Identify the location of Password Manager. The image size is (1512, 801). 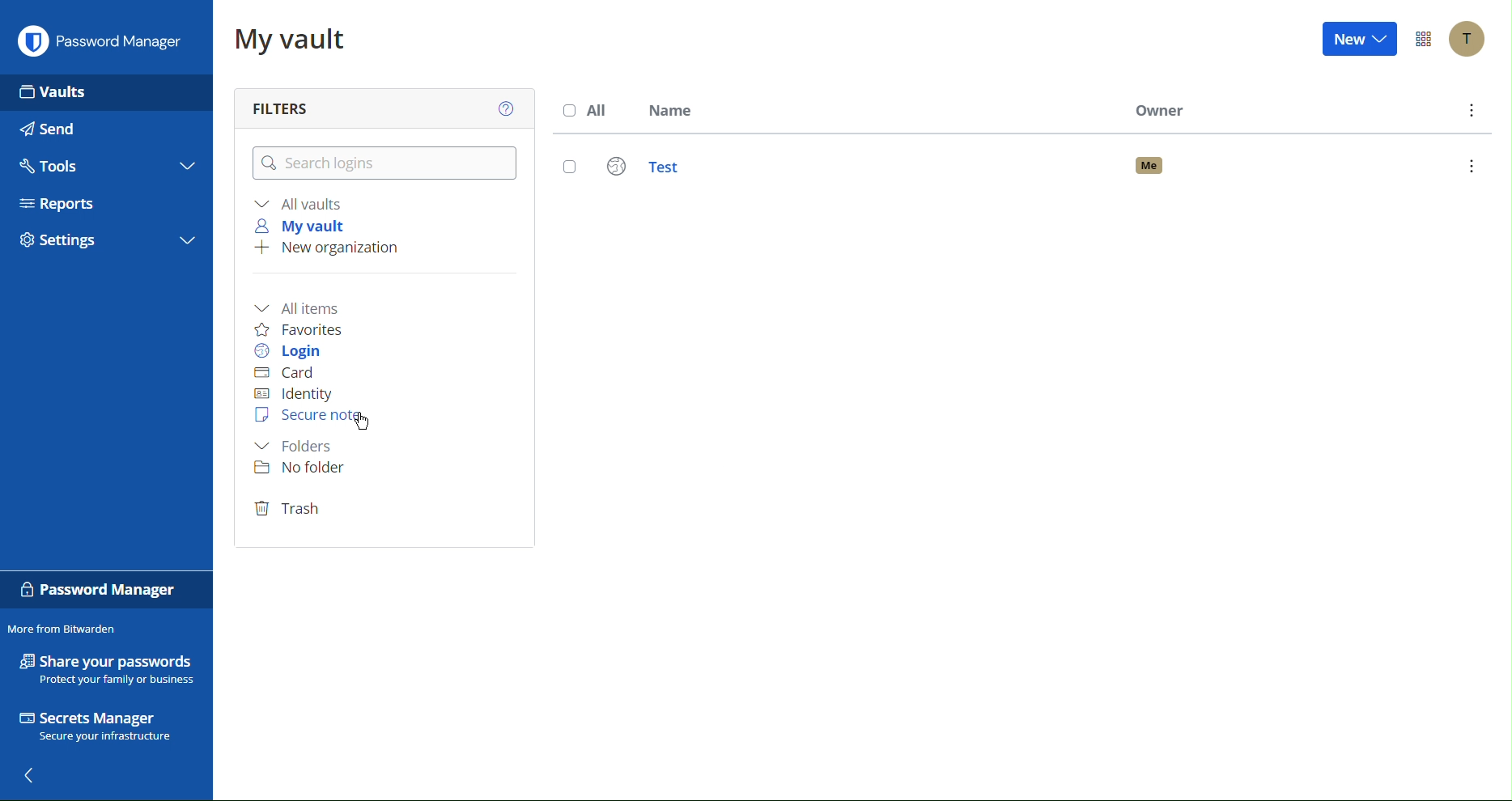
(101, 38).